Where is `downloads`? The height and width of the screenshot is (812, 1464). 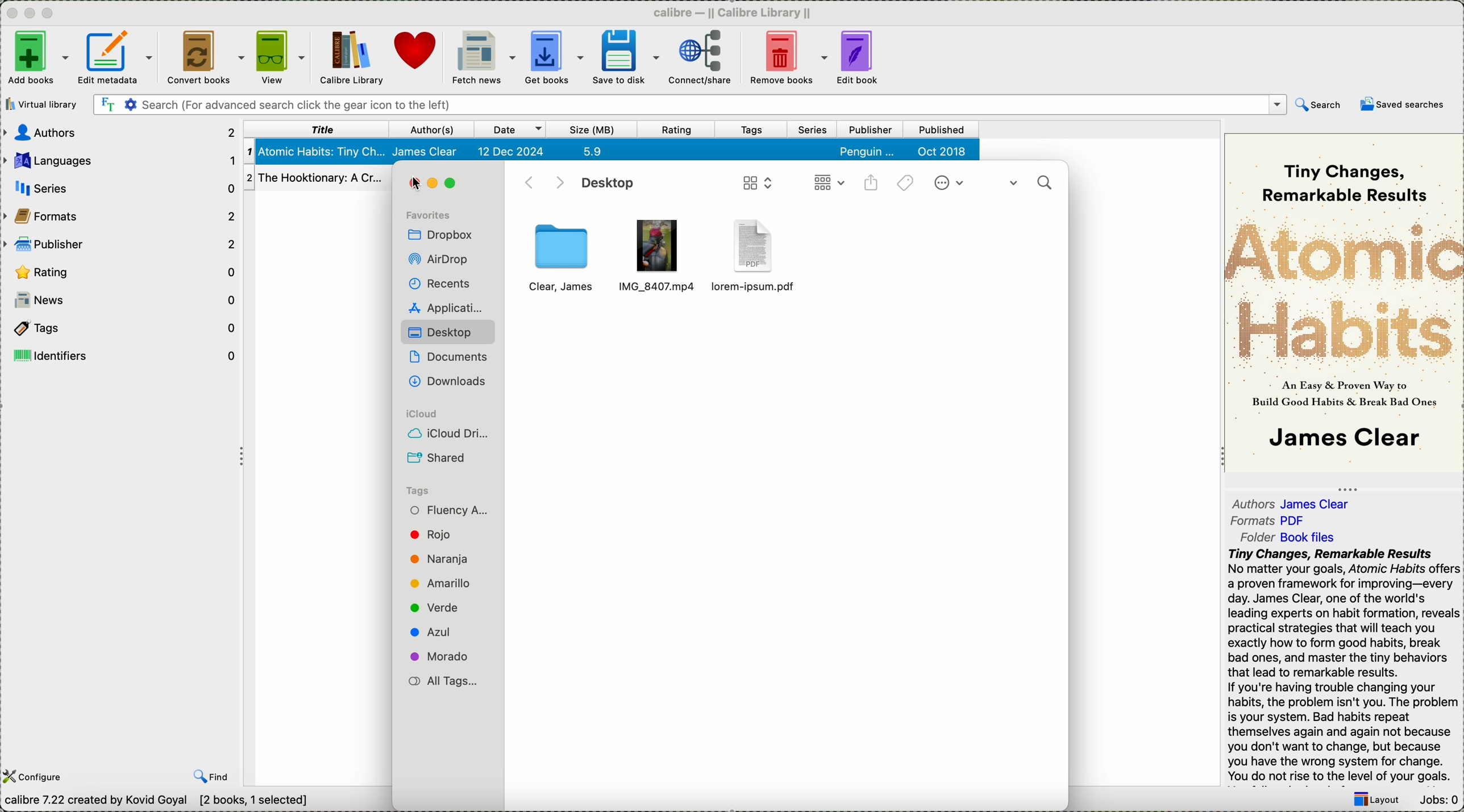
downloads is located at coordinates (446, 380).